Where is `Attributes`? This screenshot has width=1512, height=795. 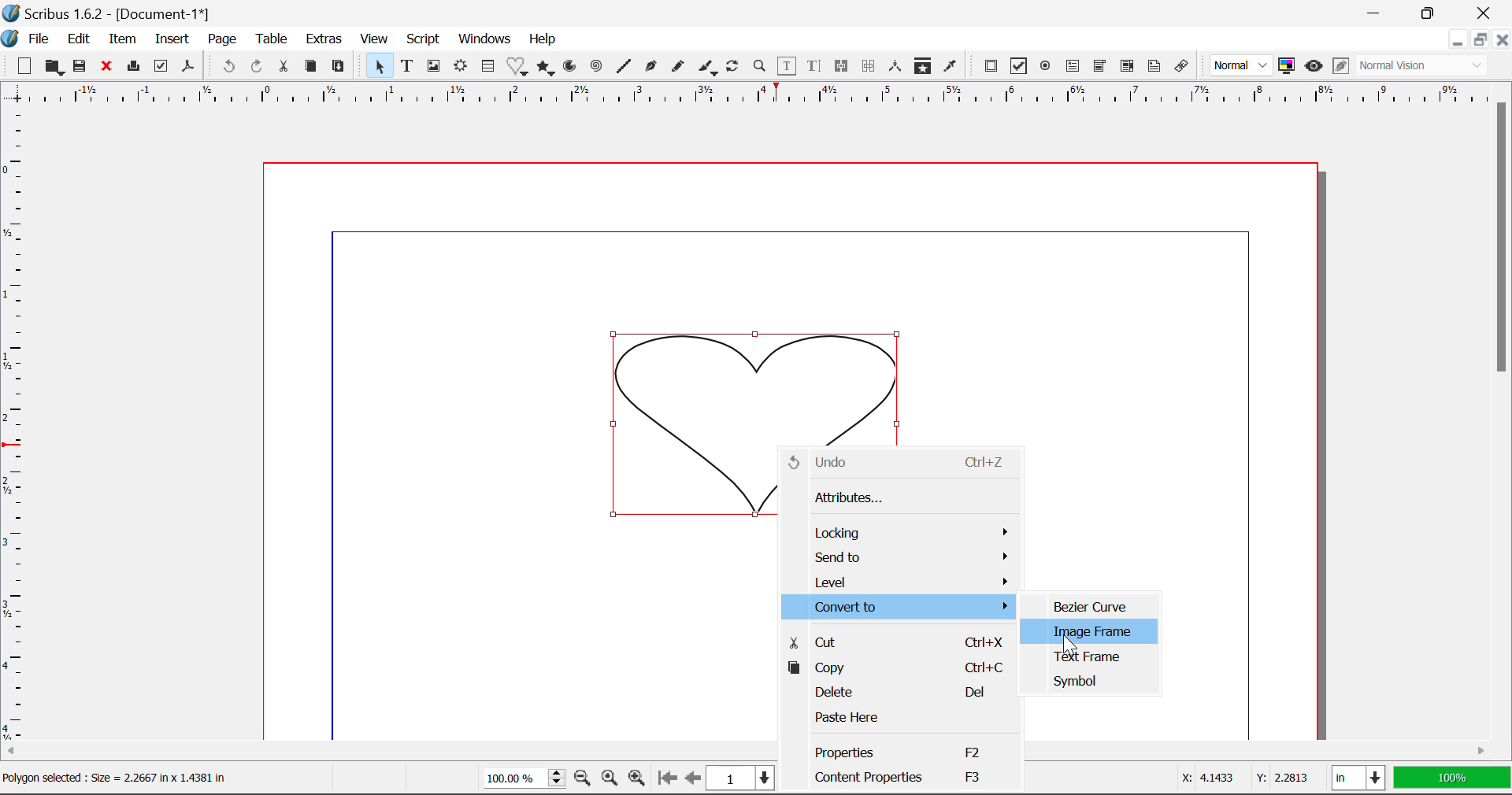 Attributes is located at coordinates (898, 498).